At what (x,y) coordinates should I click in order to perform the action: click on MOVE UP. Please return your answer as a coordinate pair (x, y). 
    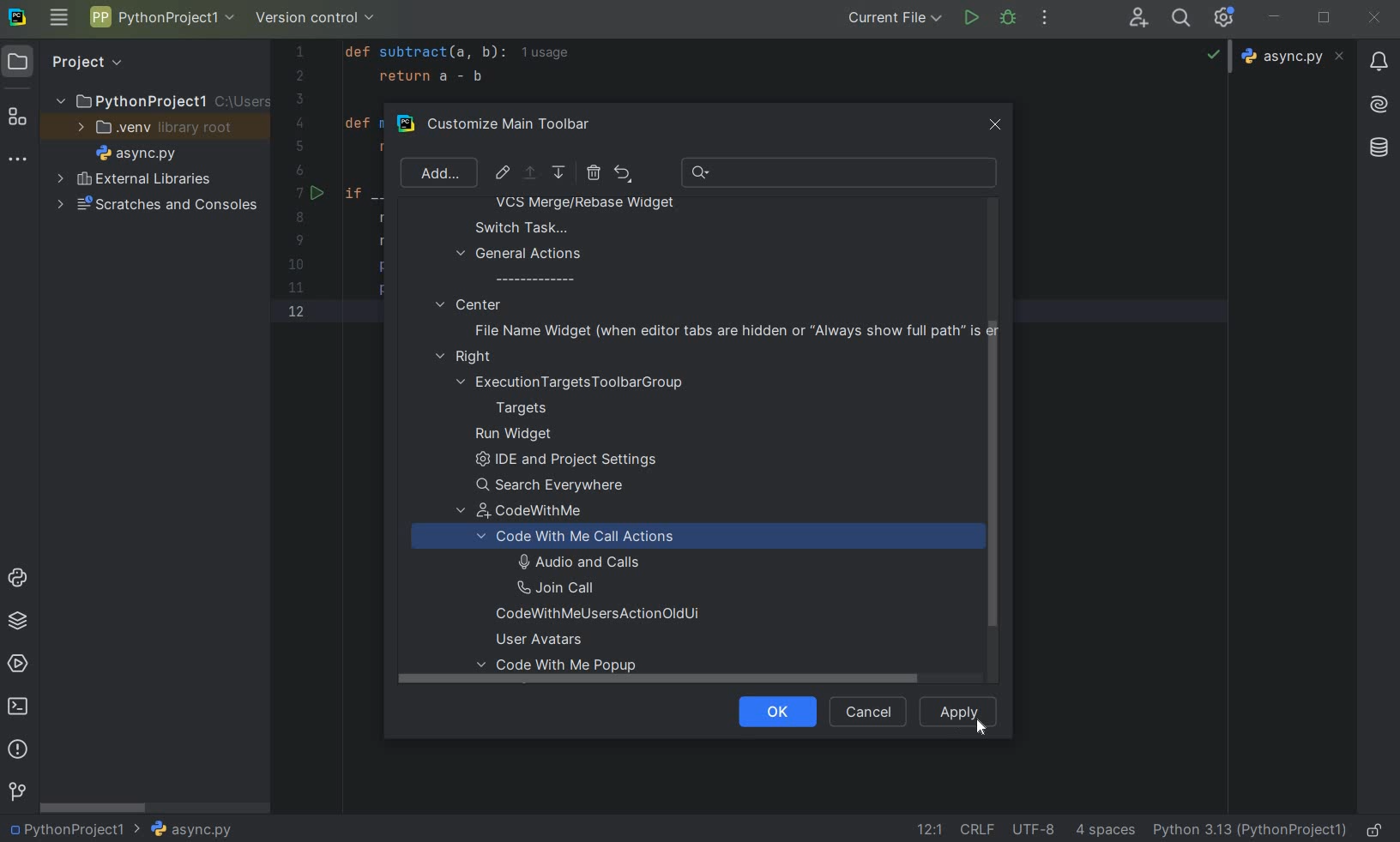
    Looking at the image, I should click on (529, 173).